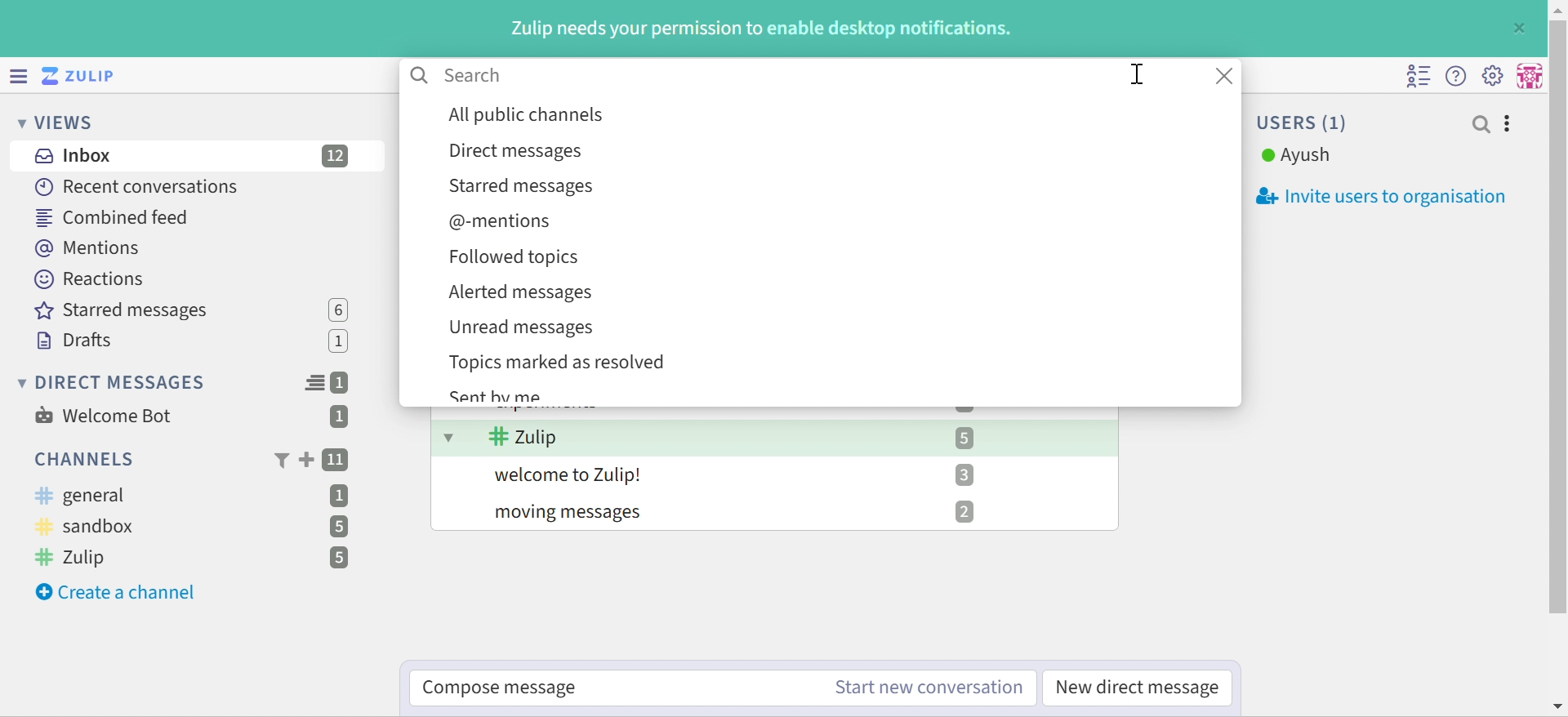 This screenshot has height=717, width=1568. Describe the element at coordinates (571, 475) in the screenshot. I see `welcome to Zulip!` at that location.